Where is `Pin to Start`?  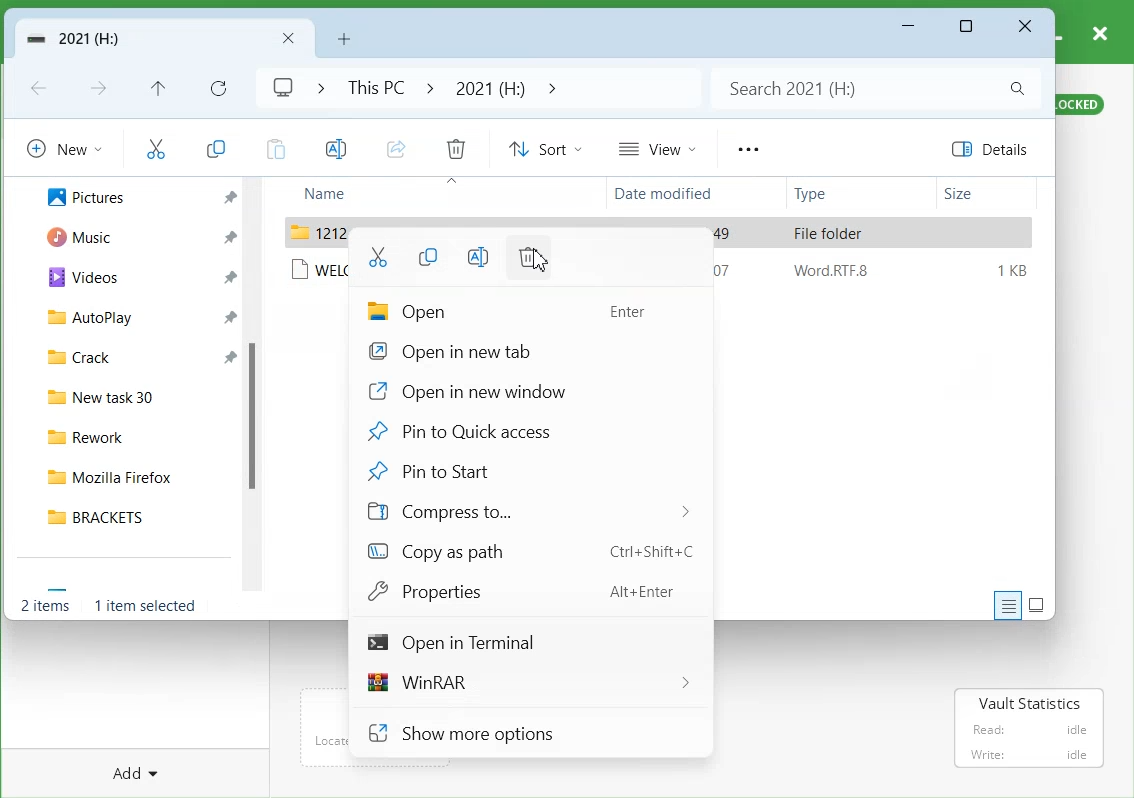 Pin to Start is located at coordinates (523, 469).